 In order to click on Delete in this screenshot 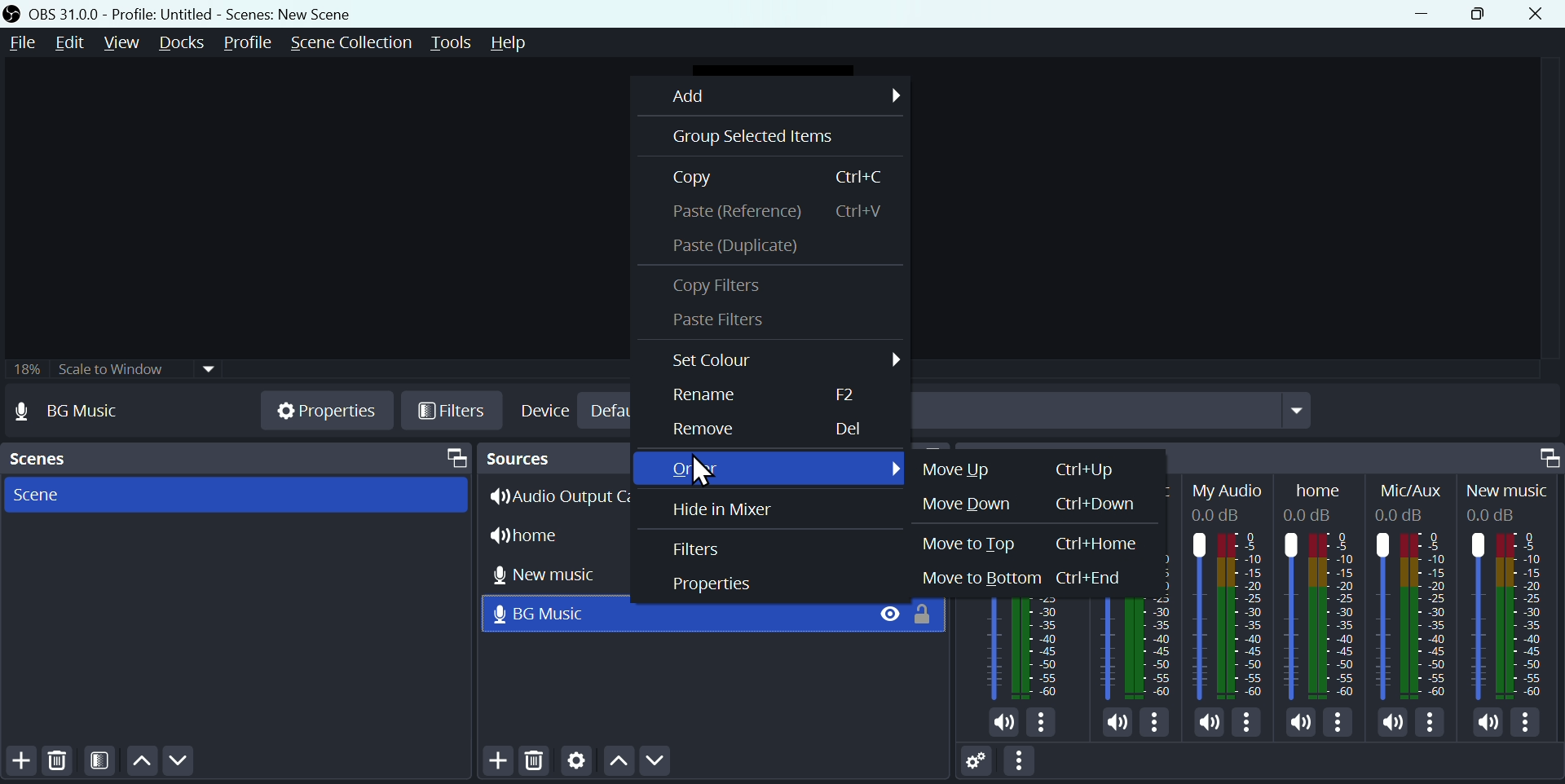, I will do `click(533, 762)`.